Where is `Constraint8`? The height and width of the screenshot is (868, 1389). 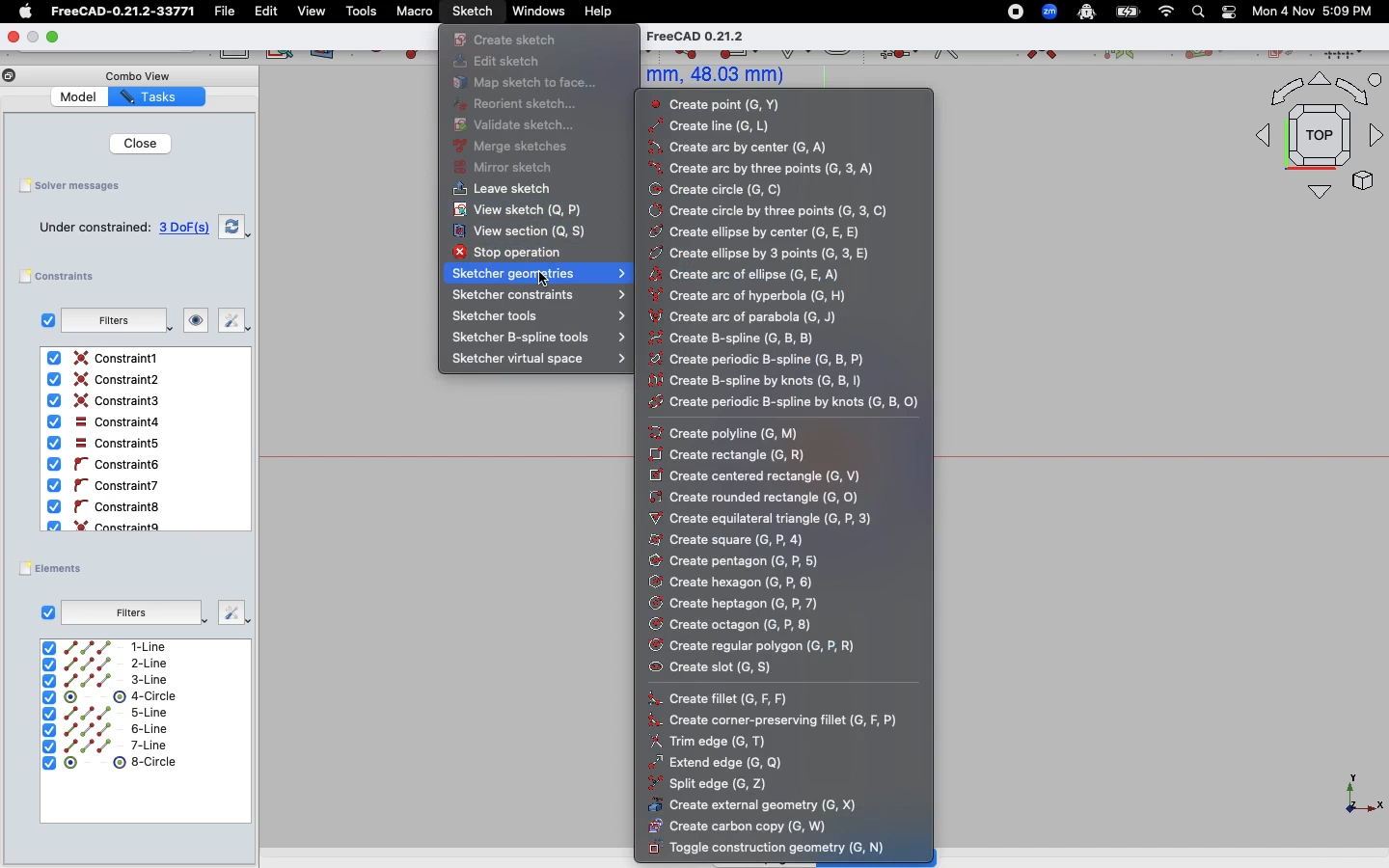
Constraint8 is located at coordinates (106, 507).